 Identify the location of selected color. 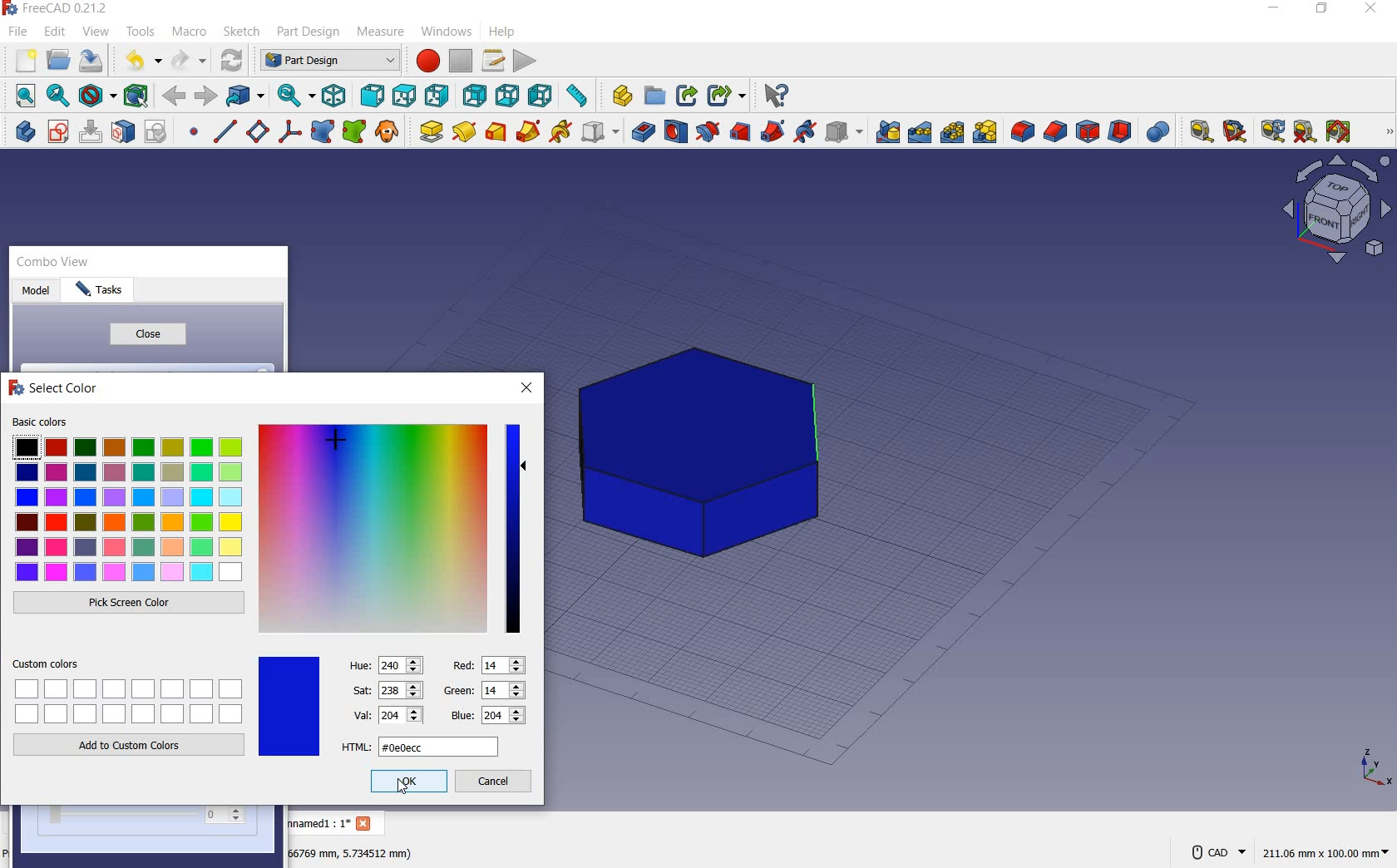
(289, 706).